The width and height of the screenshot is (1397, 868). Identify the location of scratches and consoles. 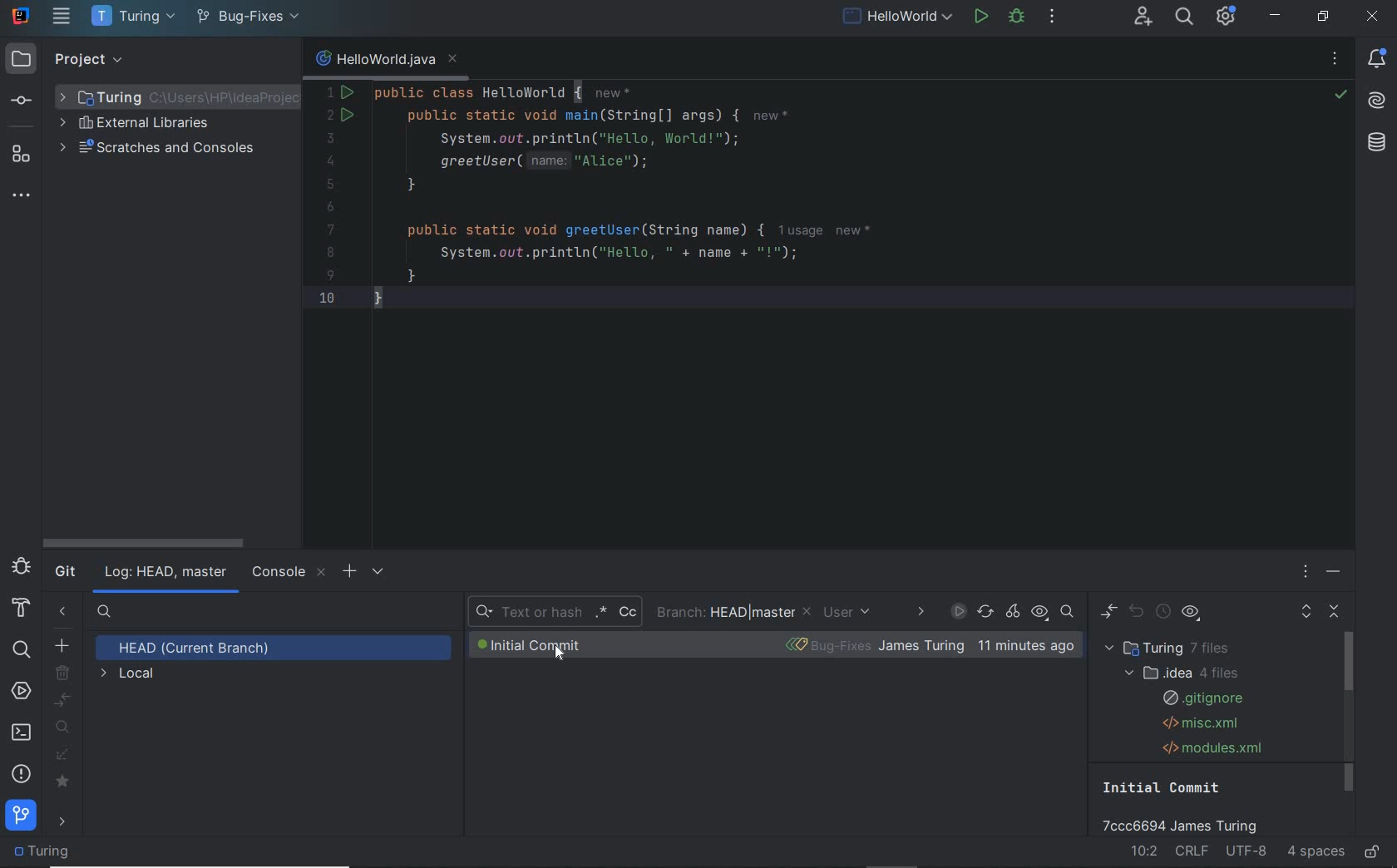
(160, 149).